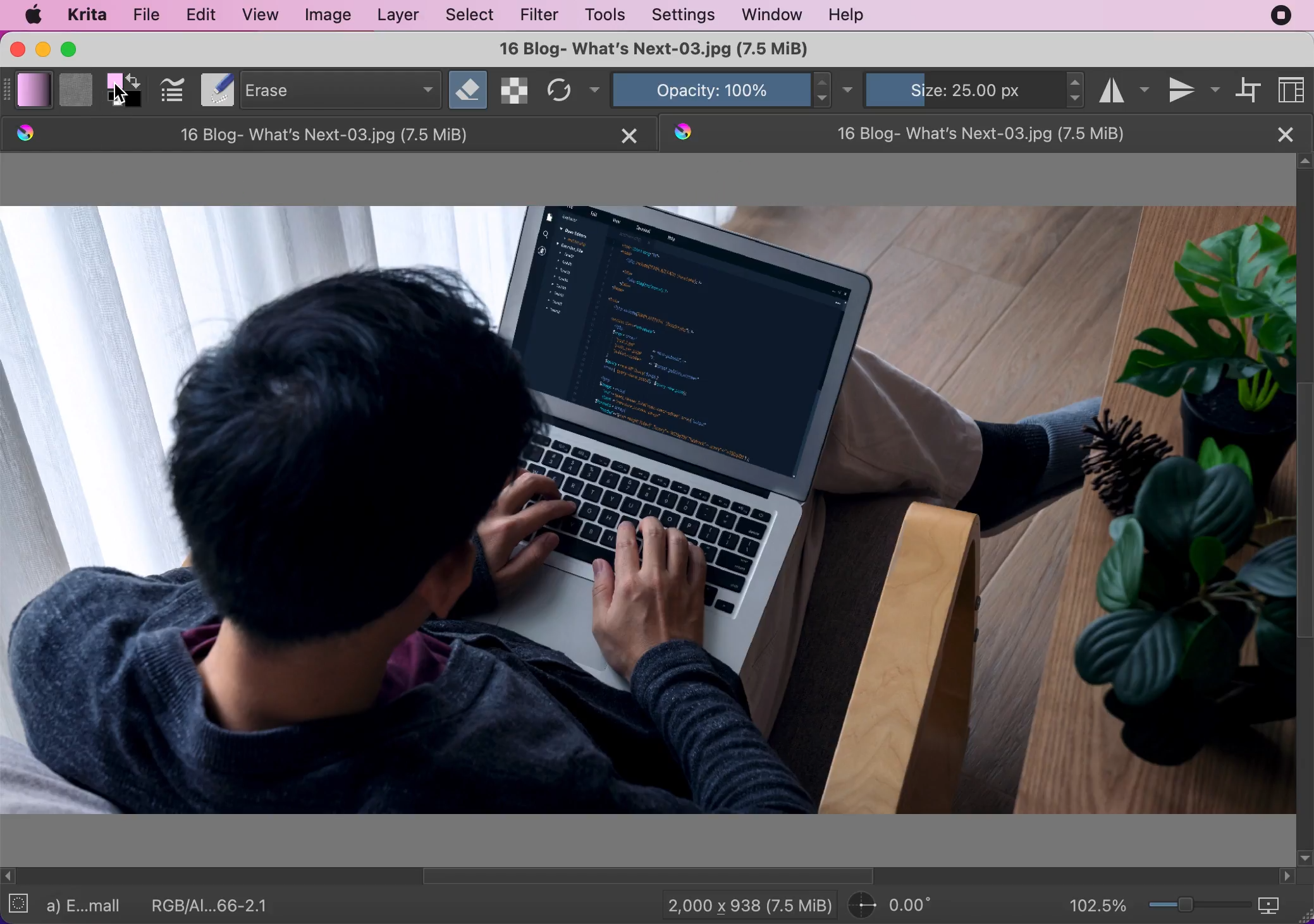 Image resolution: width=1314 pixels, height=924 pixels. I want to click on 0.00, so click(902, 905).